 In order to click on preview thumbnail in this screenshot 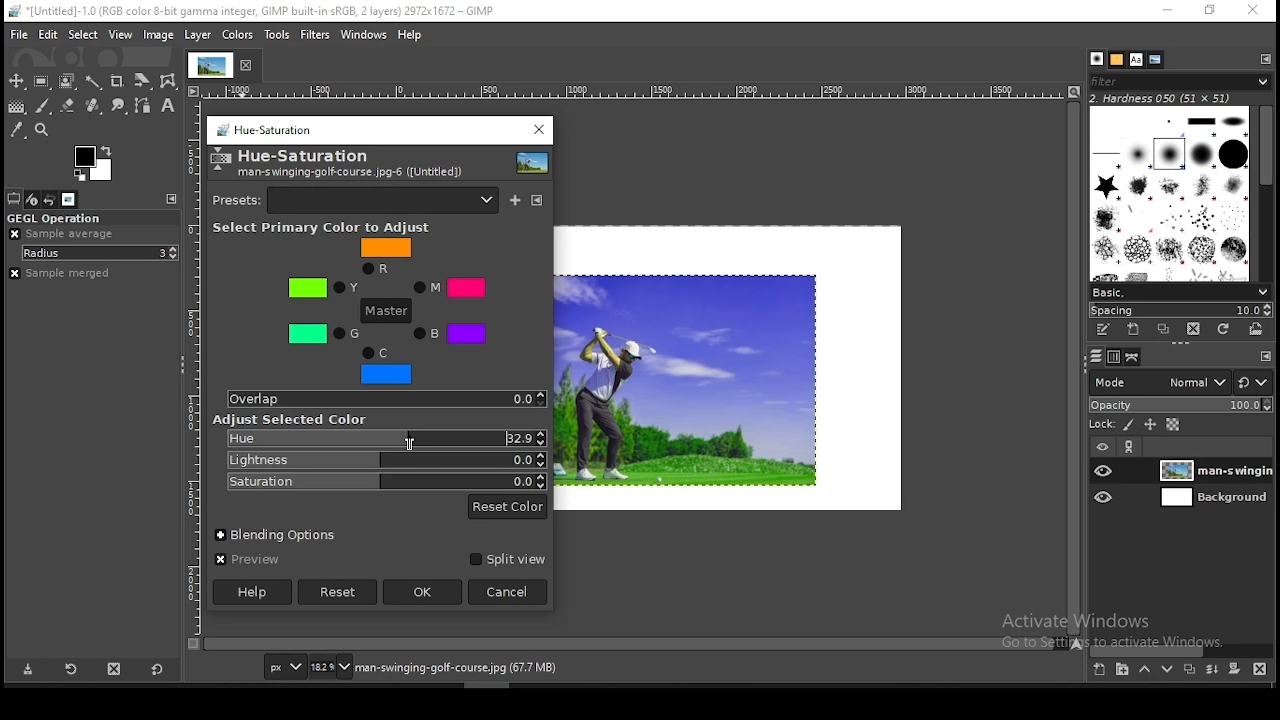, I will do `click(529, 163)`.